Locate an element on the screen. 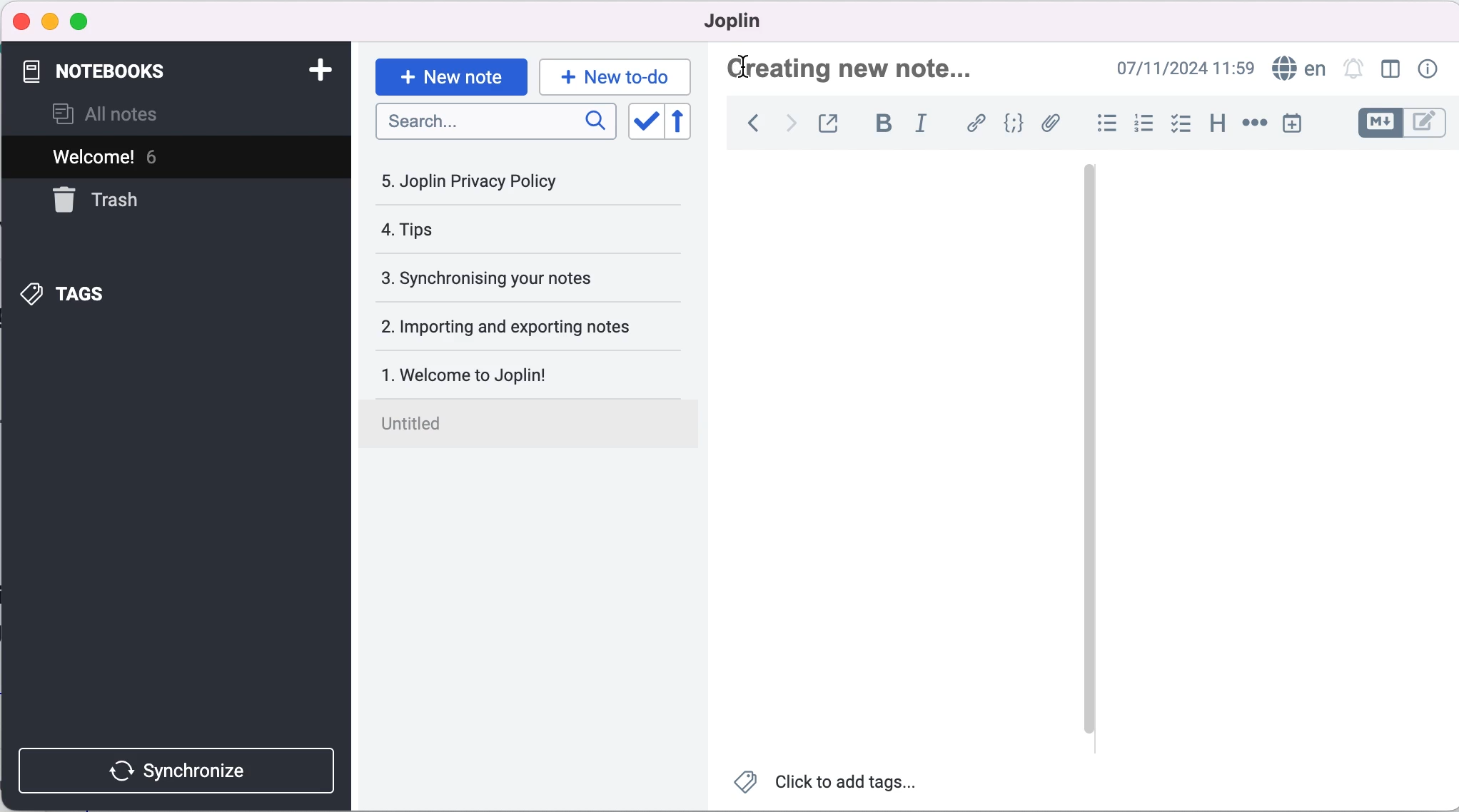 This screenshot has height=812, width=1459. cursor is located at coordinates (750, 66).